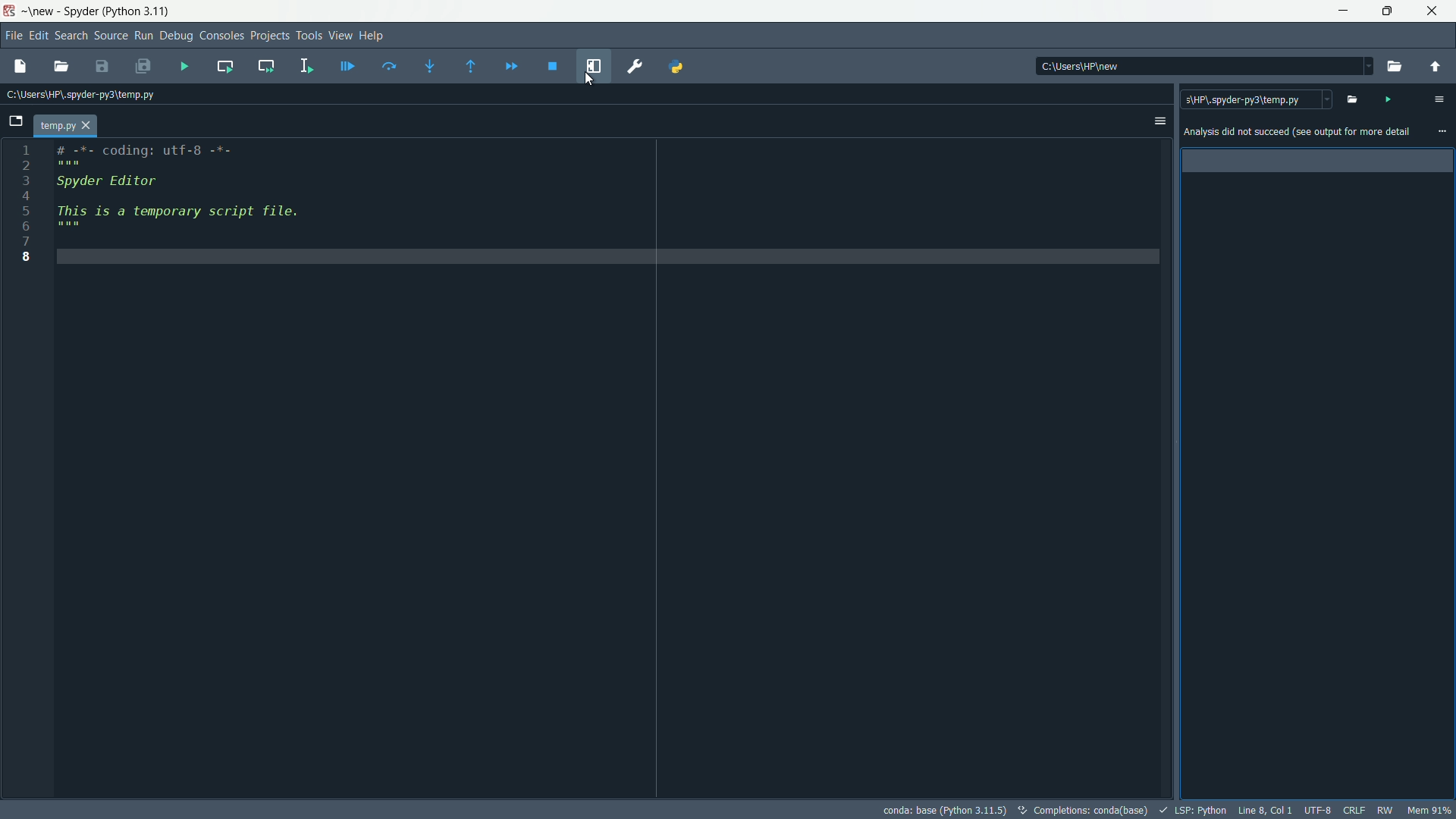 The height and width of the screenshot is (819, 1456). Describe the element at coordinates (591, 78) in the screenshot. I see `cursor` at that location.